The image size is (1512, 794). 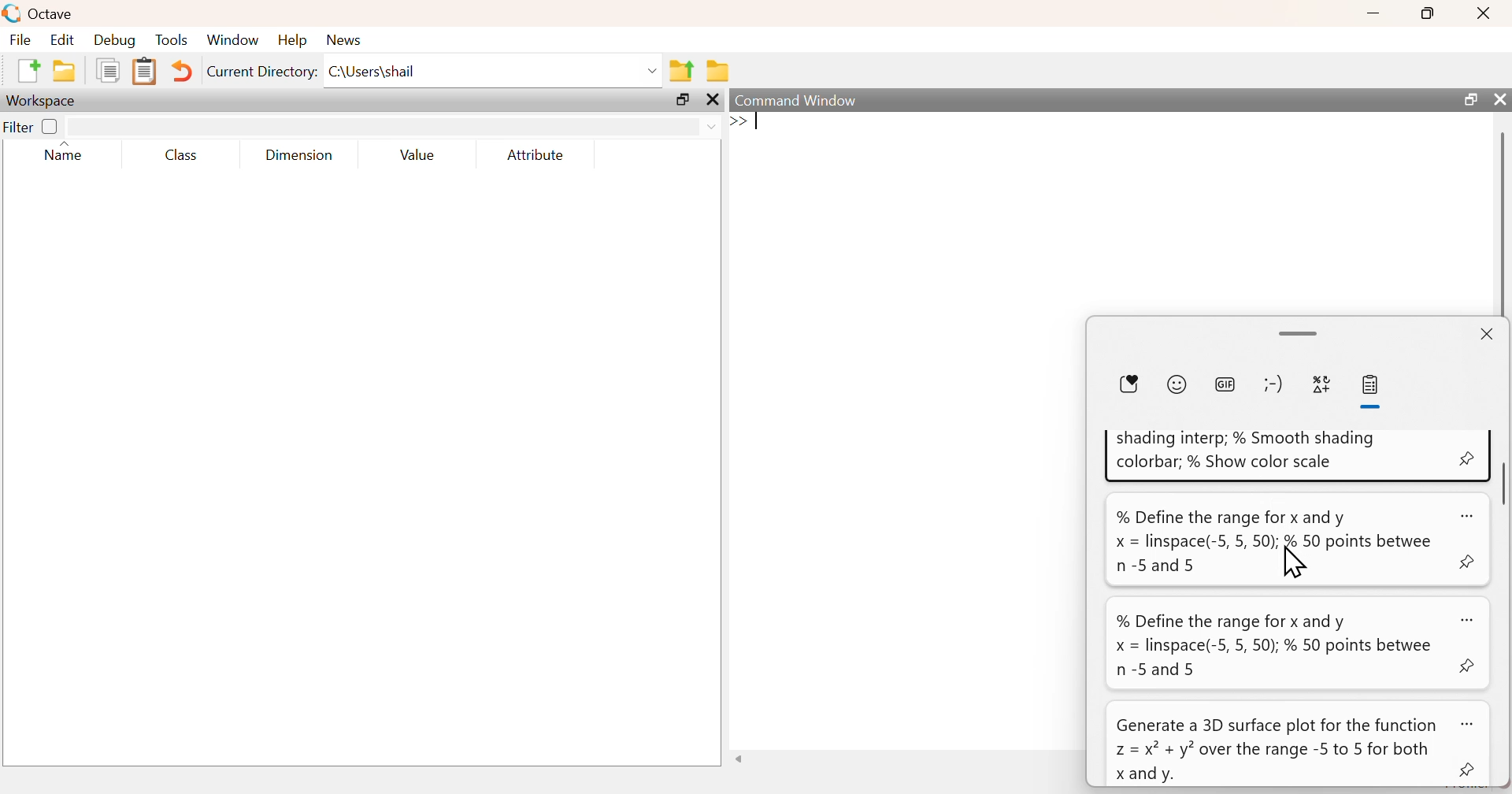 What do you see at coordinates (1471, 619) in the screenshot?
I see `more options` at bounding box center [1471, 619].